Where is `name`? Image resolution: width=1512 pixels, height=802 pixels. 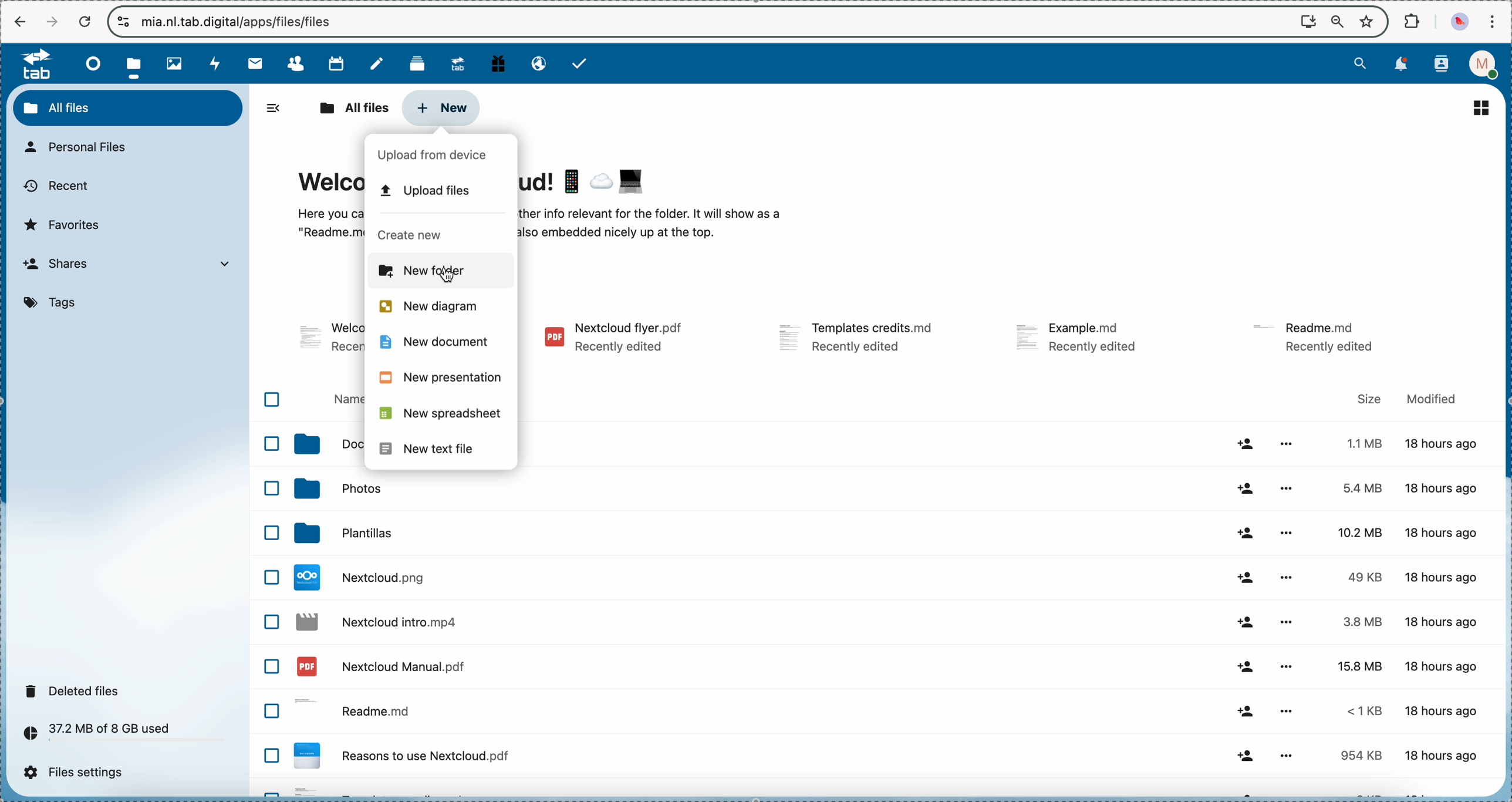 name is located at coordinates (345, 401).